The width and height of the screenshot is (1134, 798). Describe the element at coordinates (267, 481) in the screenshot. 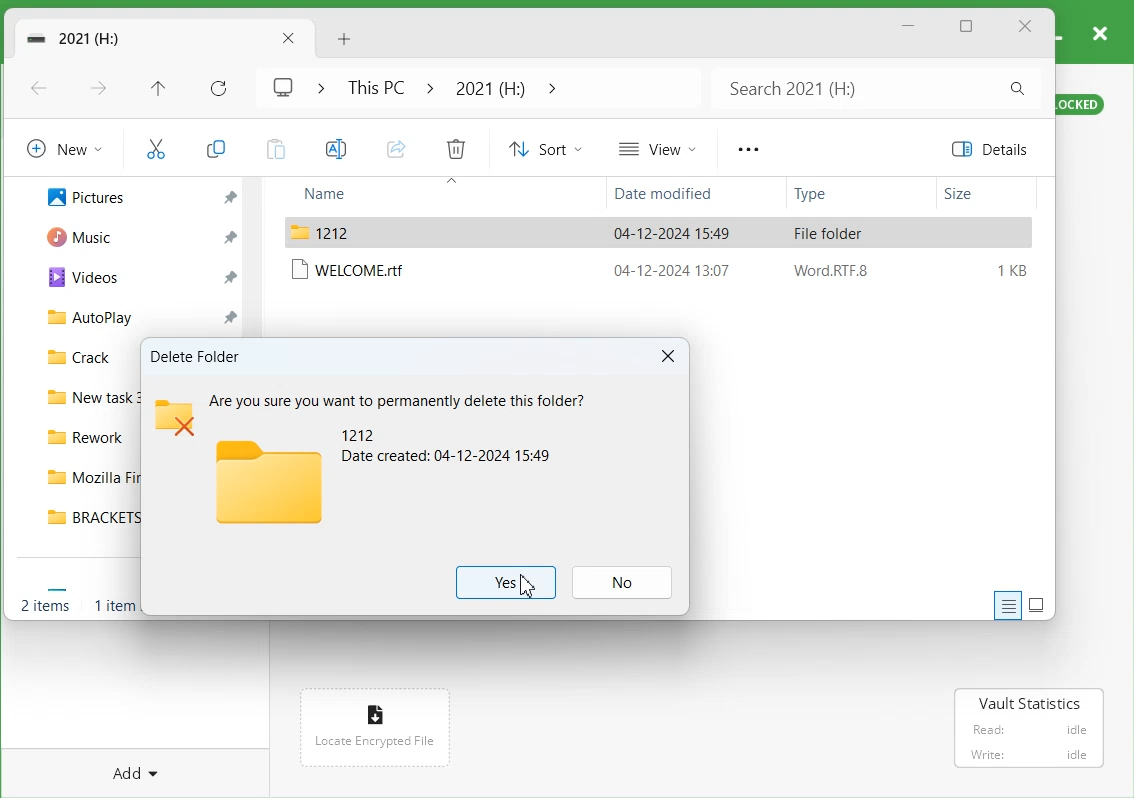

I see `Logo` at that location.